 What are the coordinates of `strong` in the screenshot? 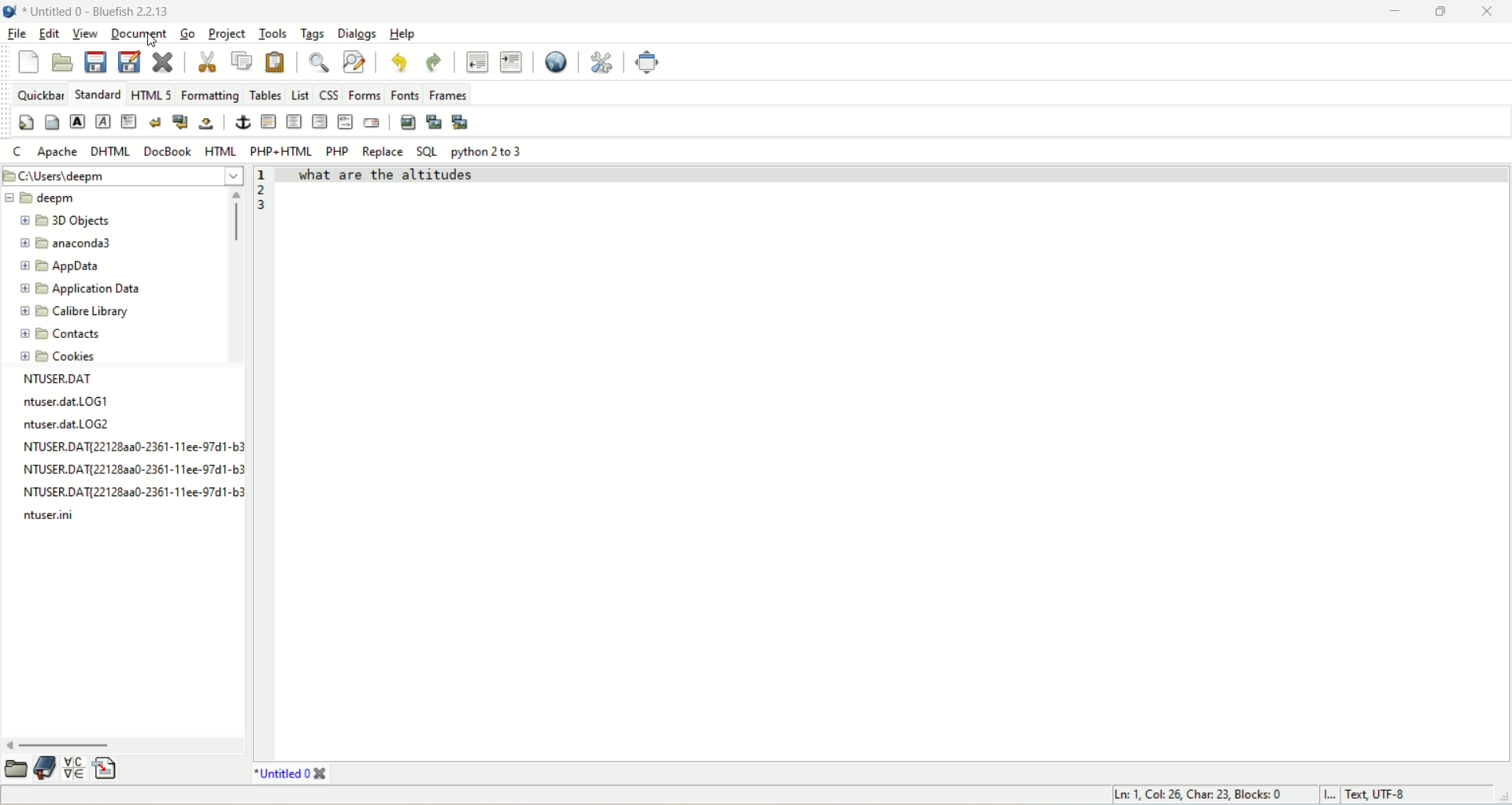 It's located at (78, 123).